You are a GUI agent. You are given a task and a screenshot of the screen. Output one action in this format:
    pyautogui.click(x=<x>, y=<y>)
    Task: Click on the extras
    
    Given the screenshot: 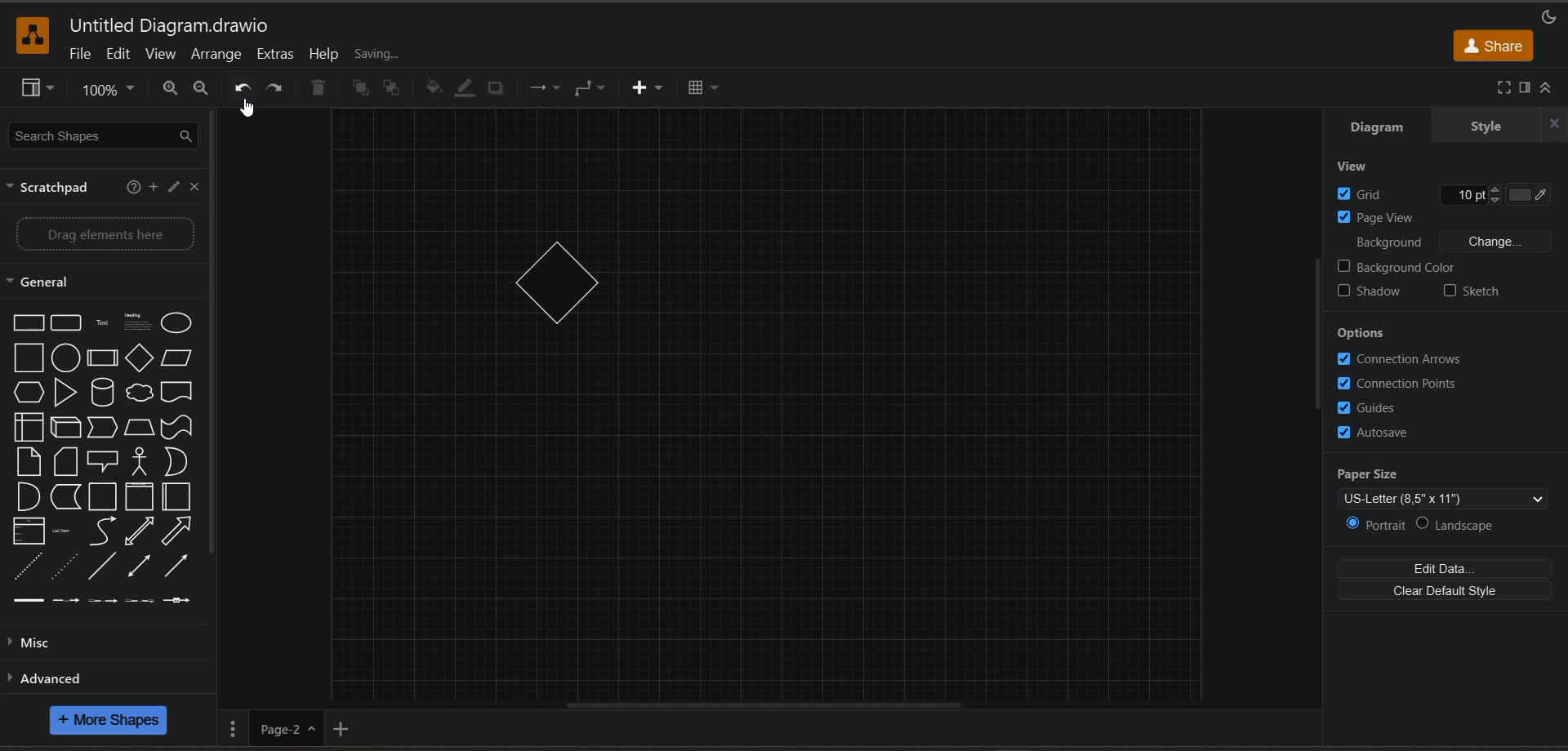 What is the action you would take?
    pyautogui.click(x=277, y=56)
    